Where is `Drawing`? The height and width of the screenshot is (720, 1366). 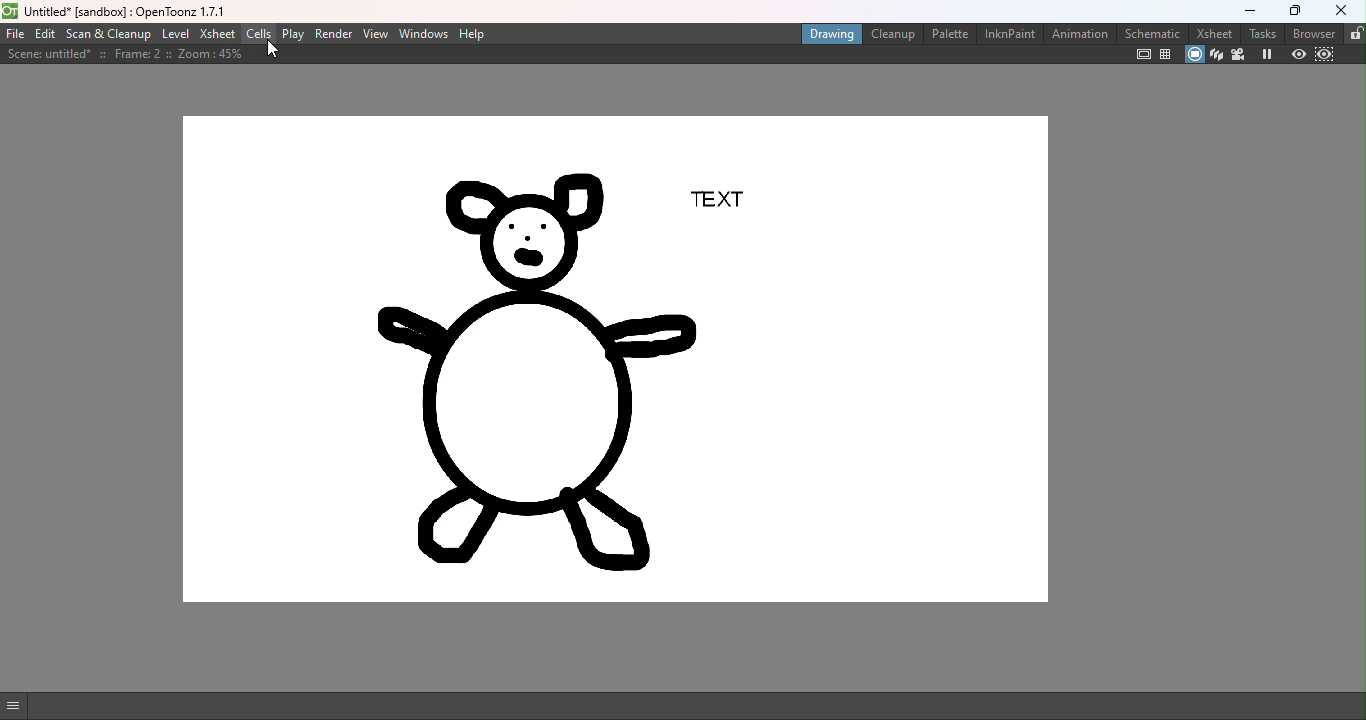
Drawing is located at coordinates (827, 35).